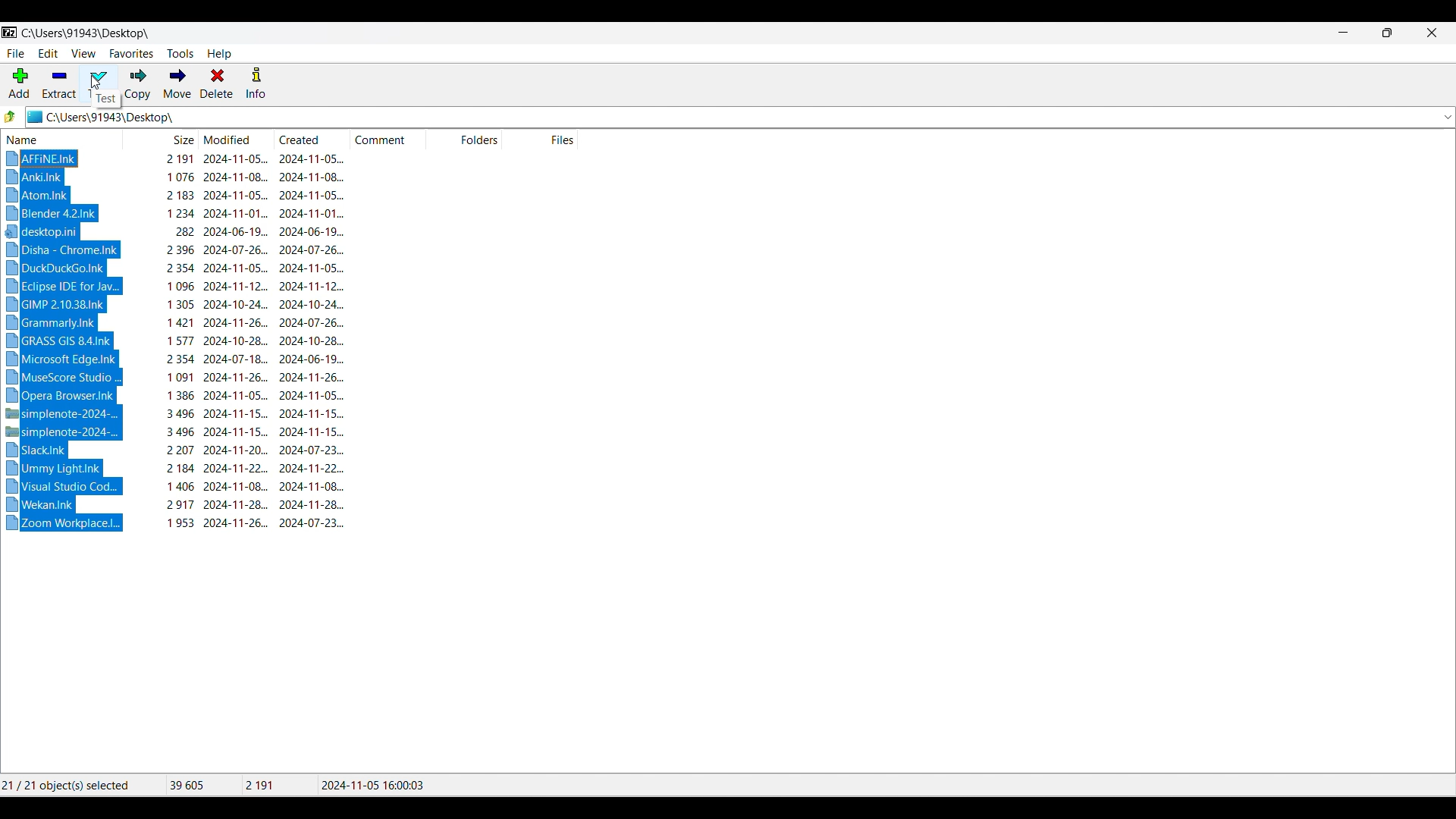 The width and height of the screenshot is (1456, 819). I want to click on Favorites menu, so click(131, 54).